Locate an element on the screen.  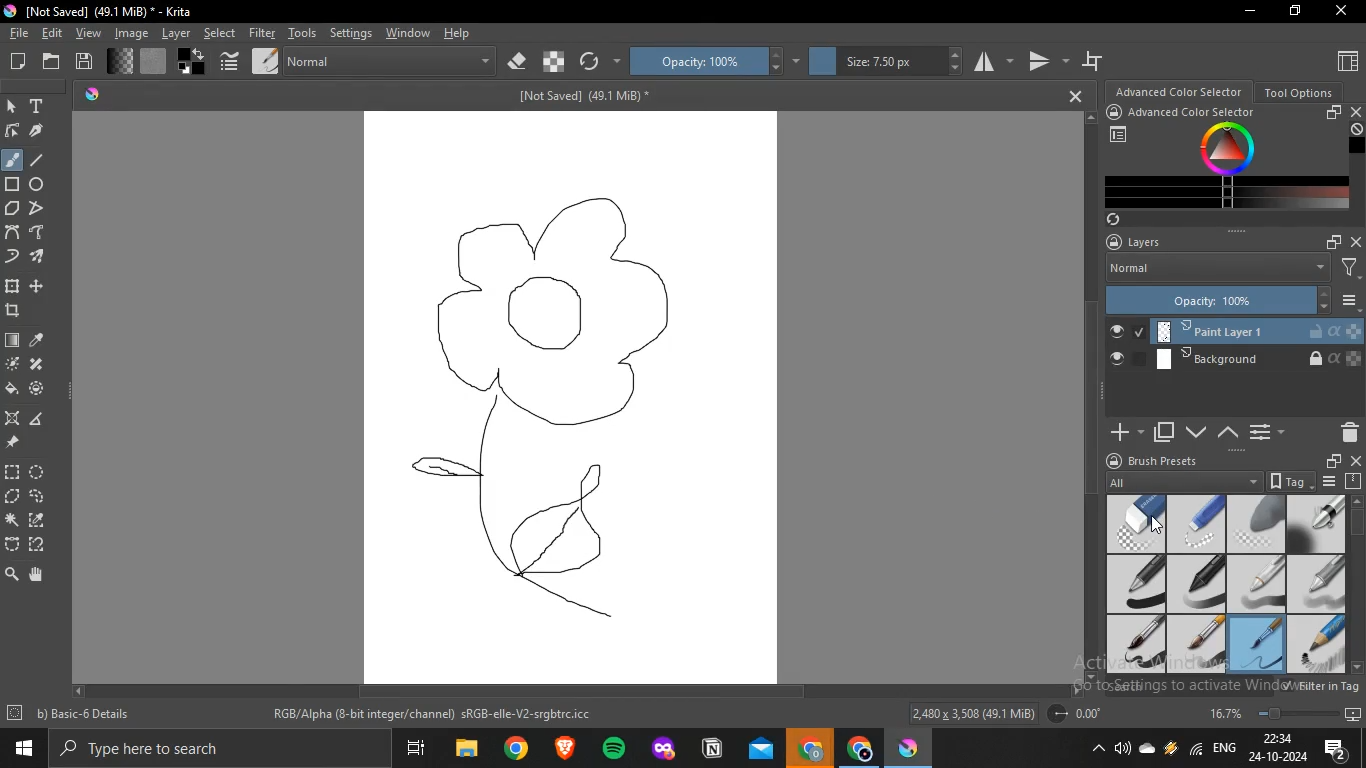
Application is located at coordinates (761, 749).